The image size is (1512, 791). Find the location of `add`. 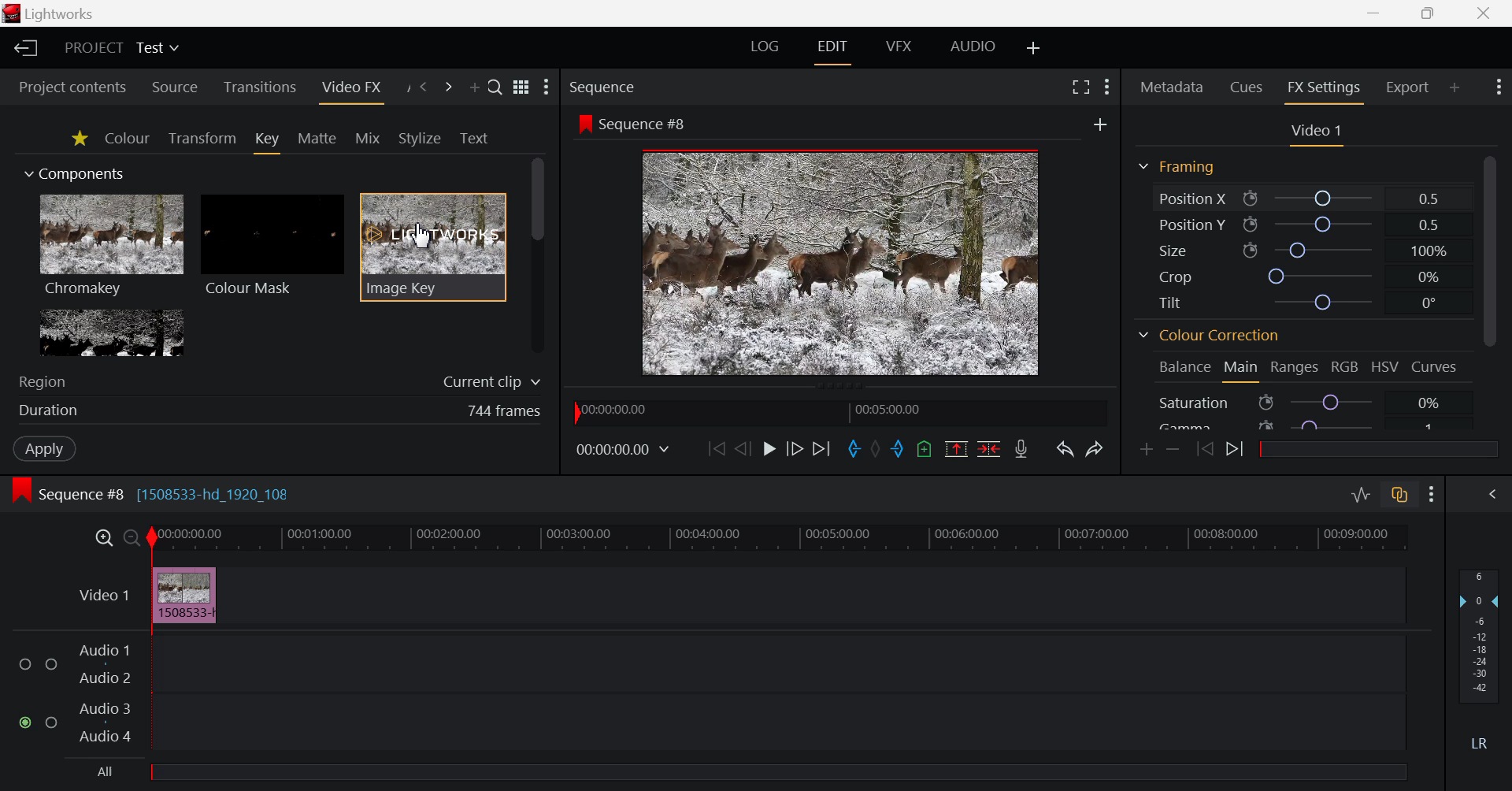

add is located at coordinates (1099, 126).